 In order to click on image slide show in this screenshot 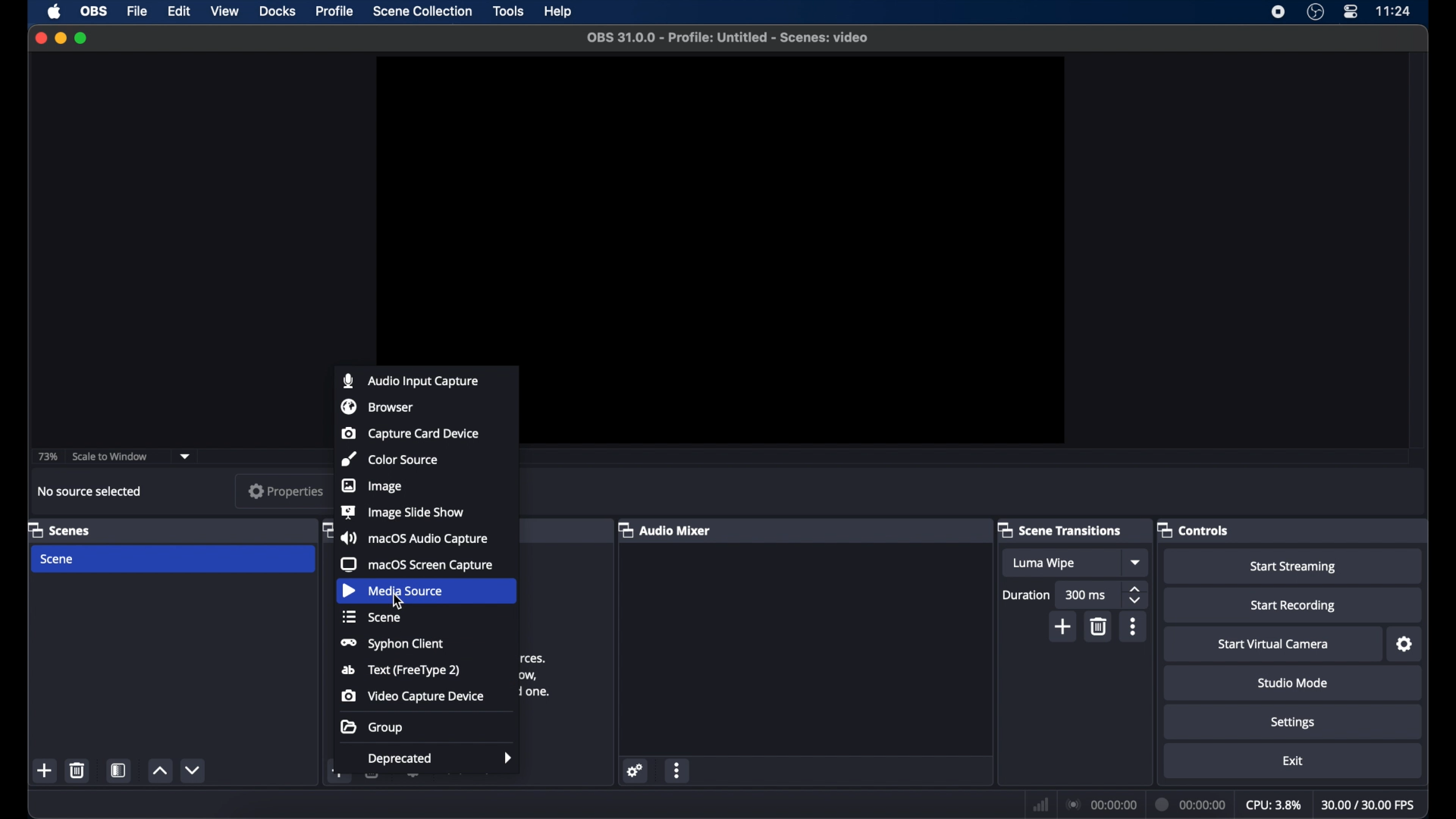, I will do `click(404, 512)`.